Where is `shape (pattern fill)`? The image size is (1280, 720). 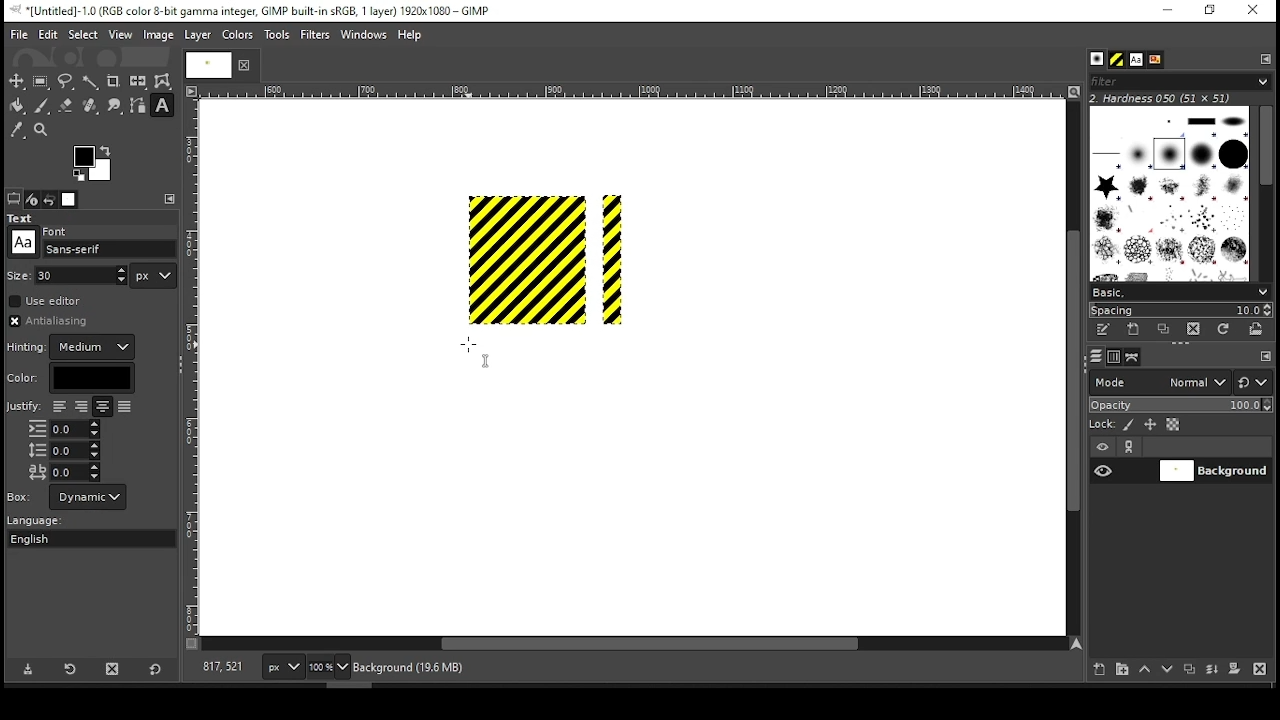
shape (pattern fill) is located at coordinates (610, 262).